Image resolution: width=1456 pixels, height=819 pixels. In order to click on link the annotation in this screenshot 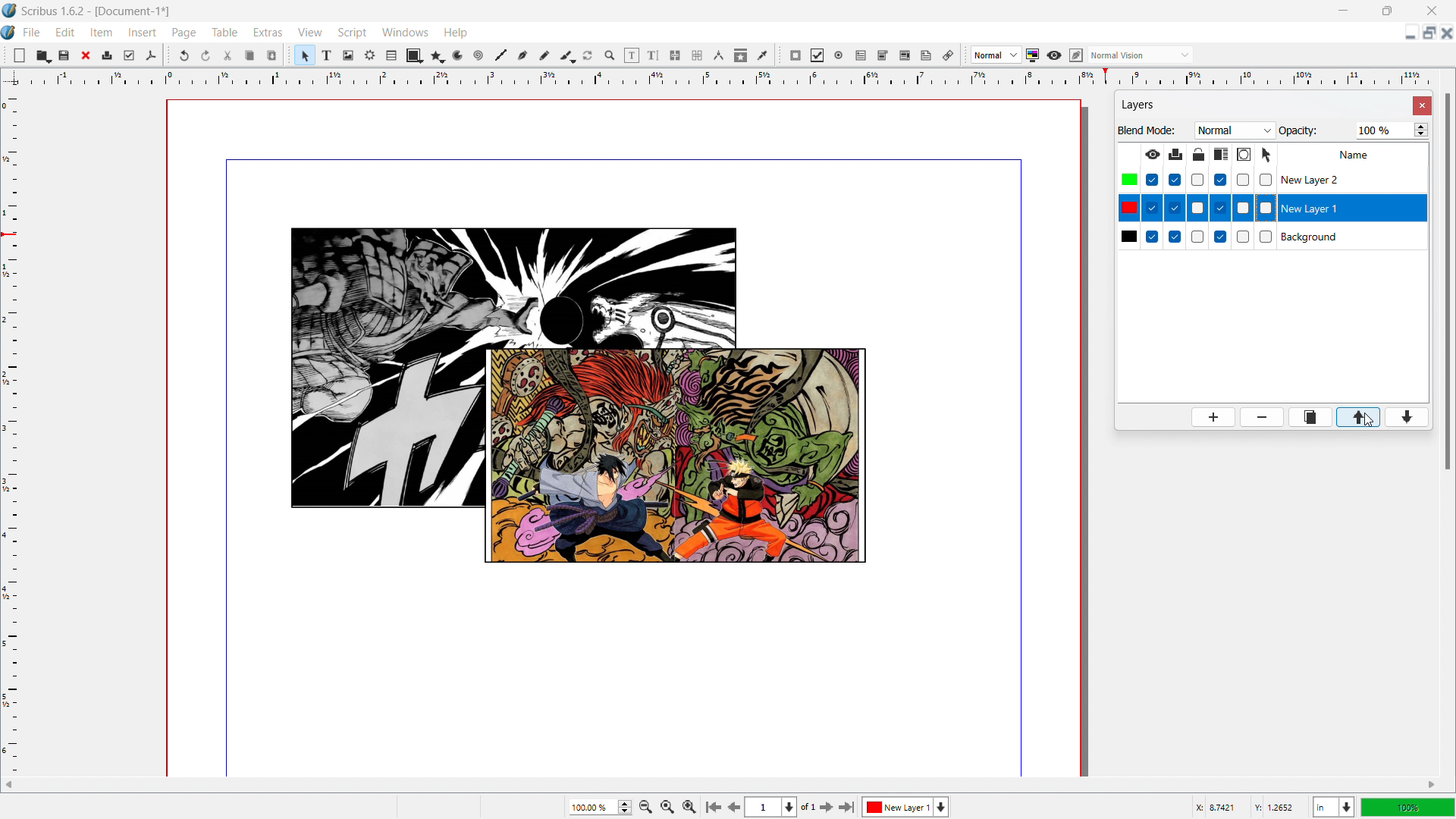, I will do `click(948, 55)`.